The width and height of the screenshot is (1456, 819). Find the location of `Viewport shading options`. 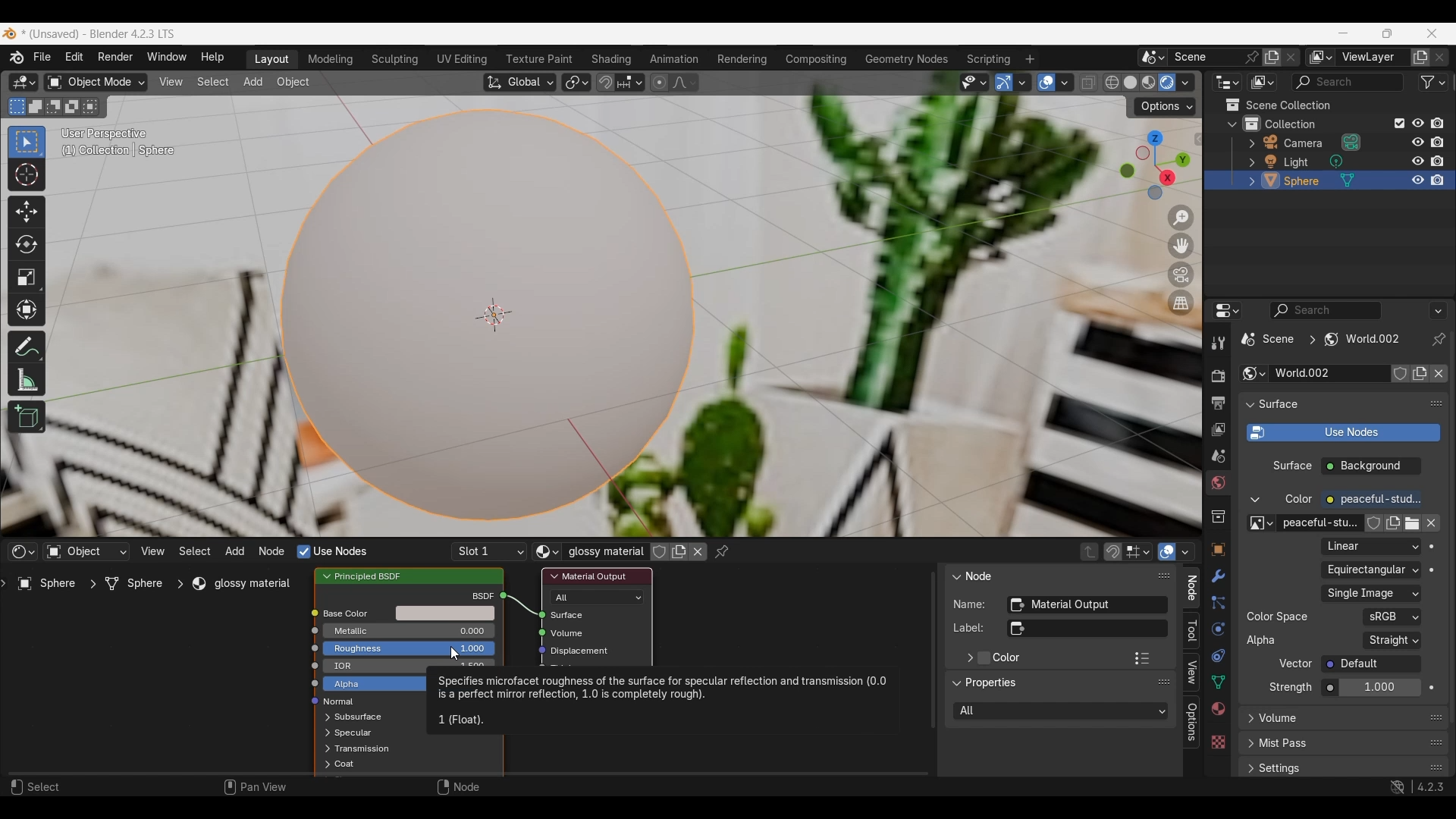

Viewport shading options is located at coordinates (1185, 83).